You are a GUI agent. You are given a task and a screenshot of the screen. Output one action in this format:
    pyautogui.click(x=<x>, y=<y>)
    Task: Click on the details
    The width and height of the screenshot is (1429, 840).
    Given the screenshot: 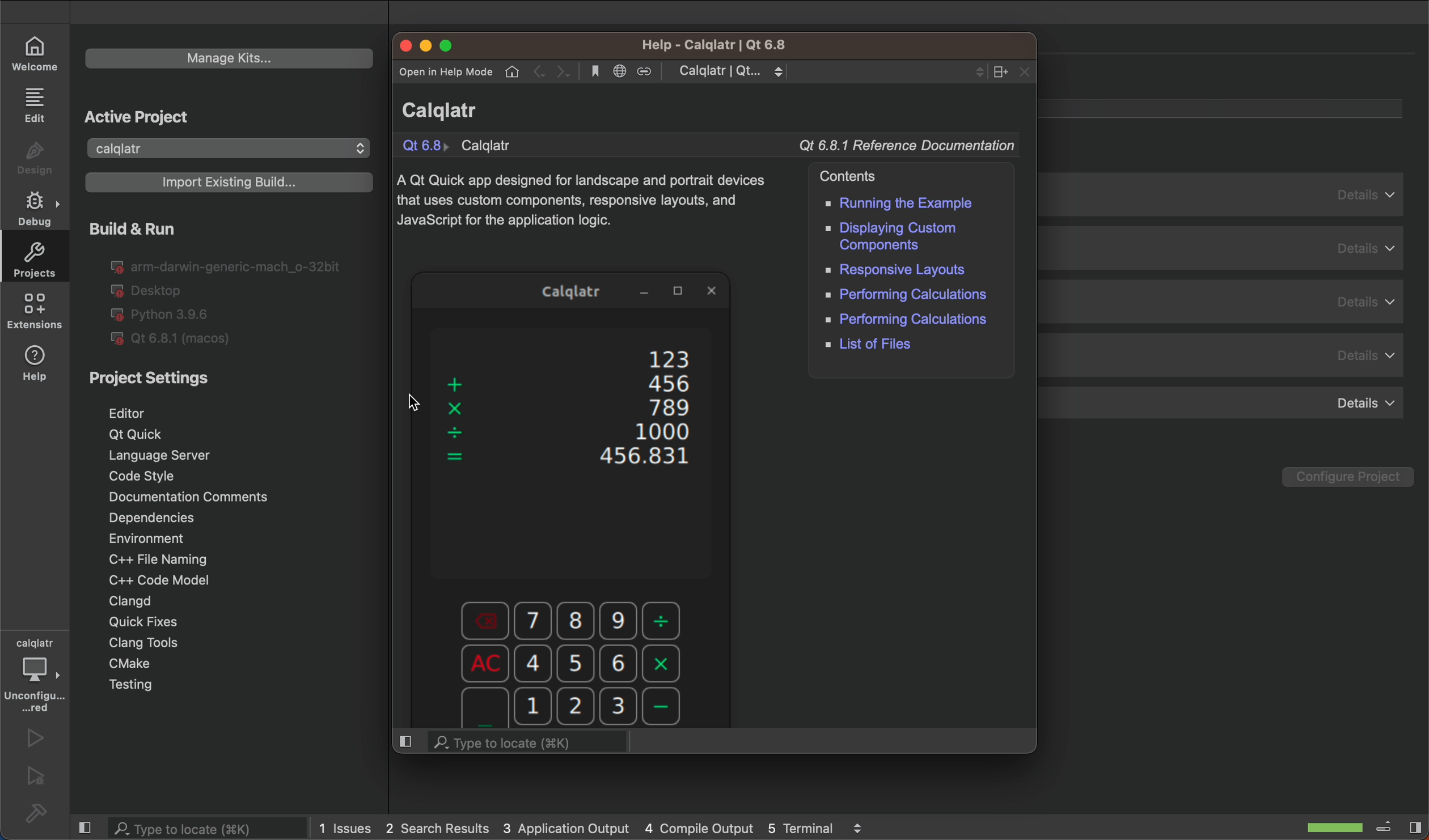 What is the action you would take?
    pyautogui.click(x=1220, y=355)
    